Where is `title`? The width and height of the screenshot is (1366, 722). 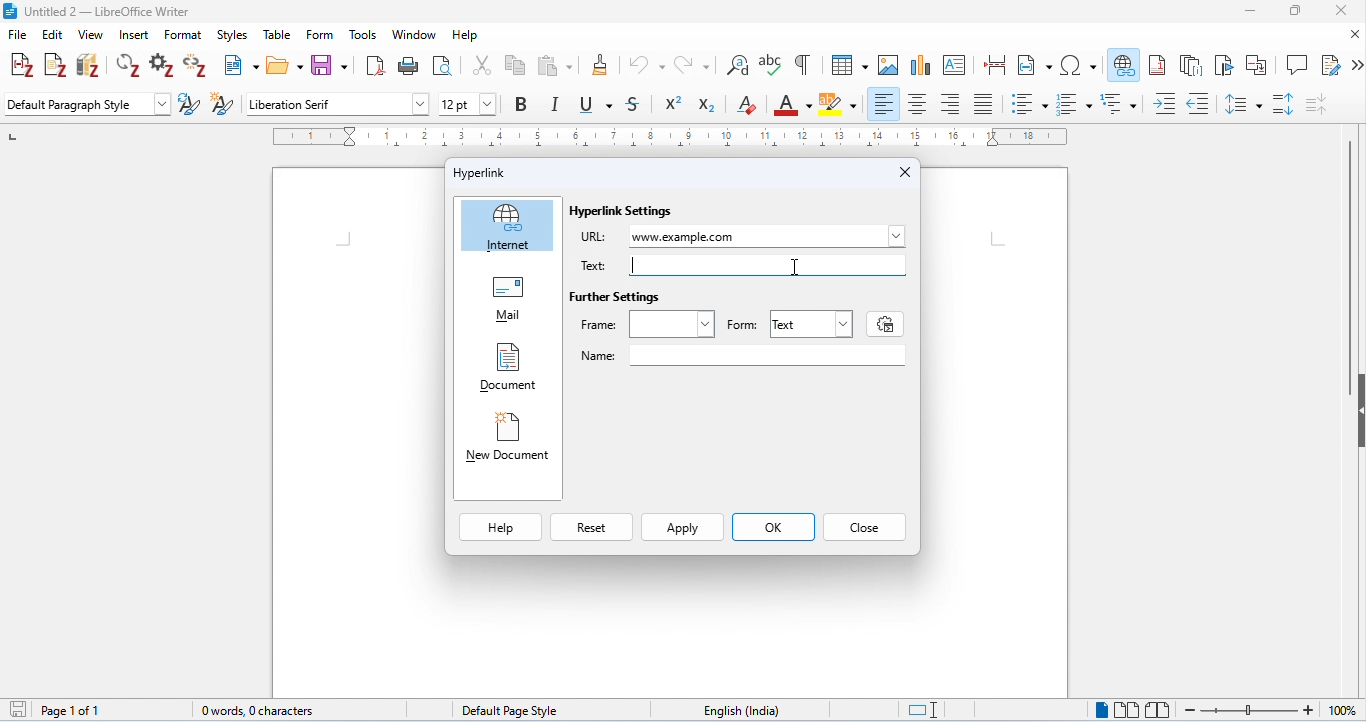
title is located at coordinates (98, 12).